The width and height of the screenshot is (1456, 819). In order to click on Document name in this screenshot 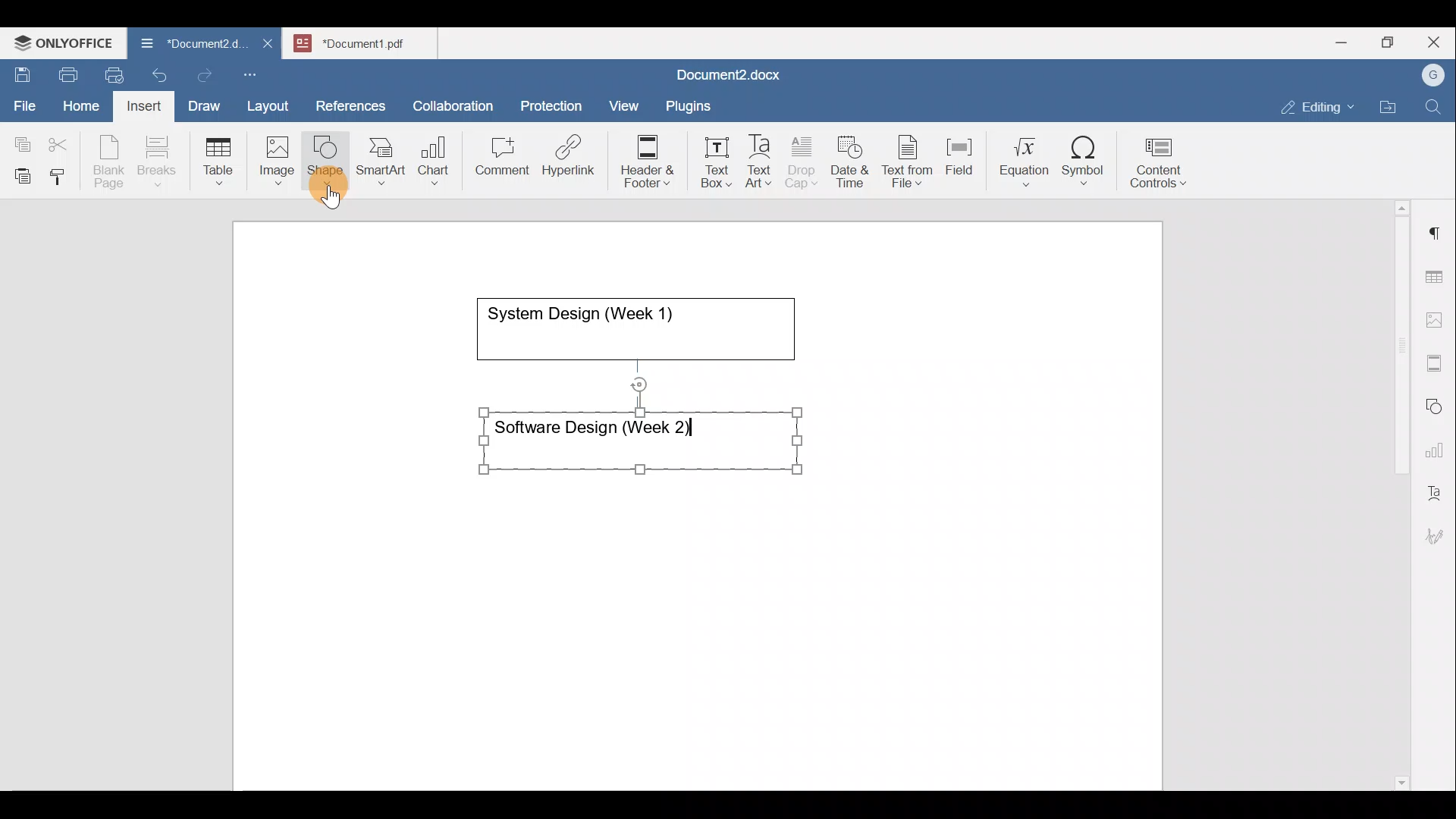, I will do `click(185, 45)`.